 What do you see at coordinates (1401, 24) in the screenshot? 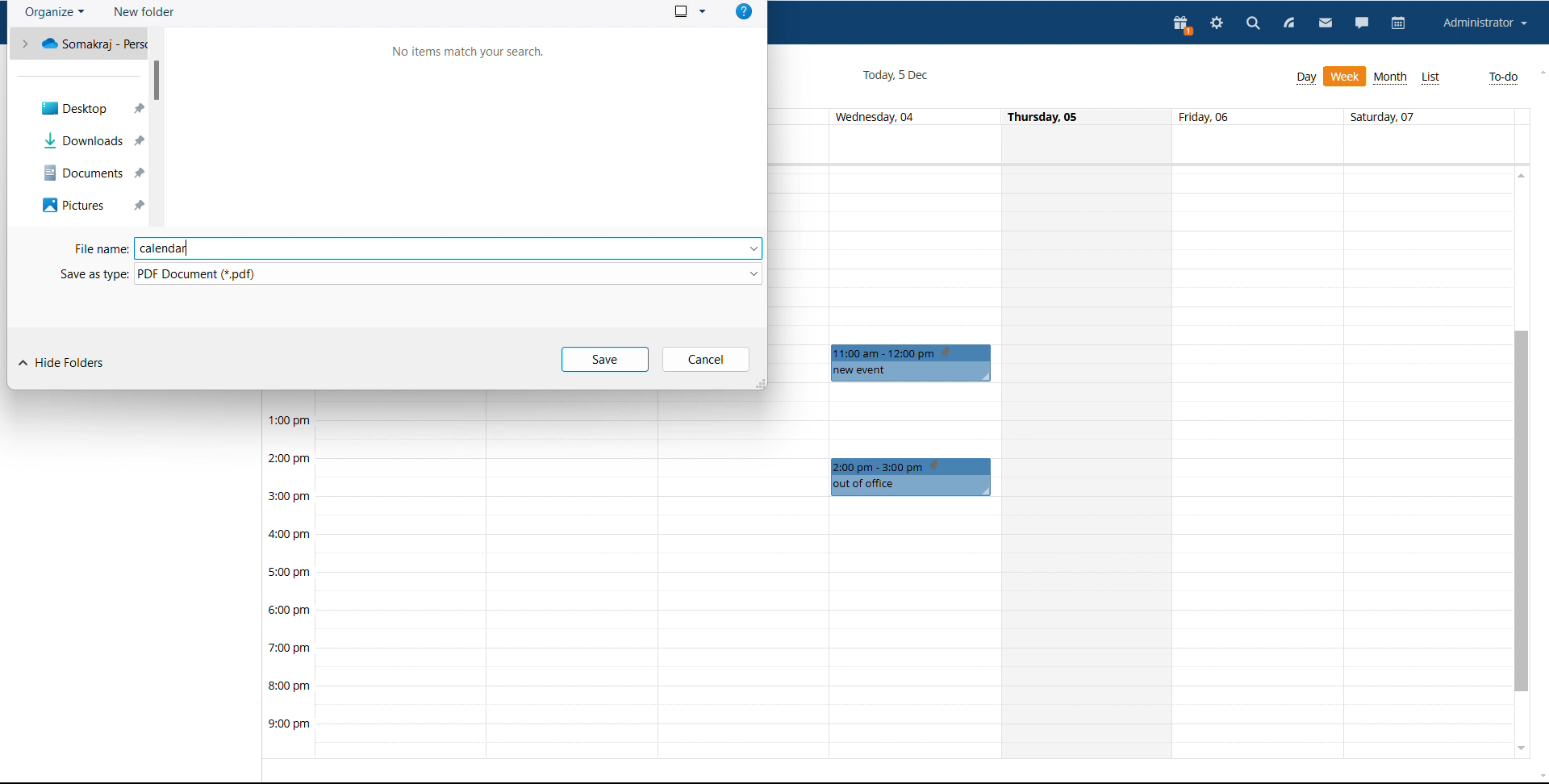
I see `calendar` at bounding box center [1401, 24].